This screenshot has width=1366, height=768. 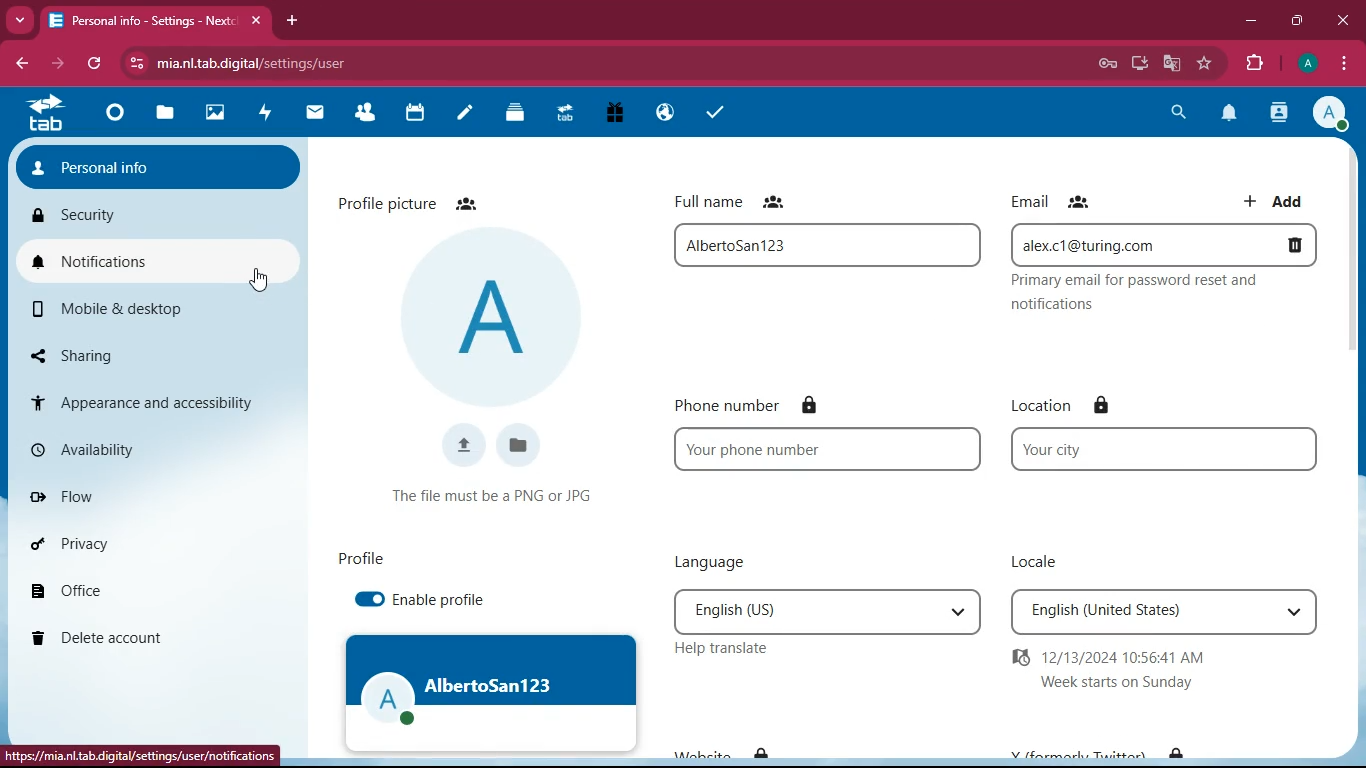 I want to click on home, so click(x=44, y=112).